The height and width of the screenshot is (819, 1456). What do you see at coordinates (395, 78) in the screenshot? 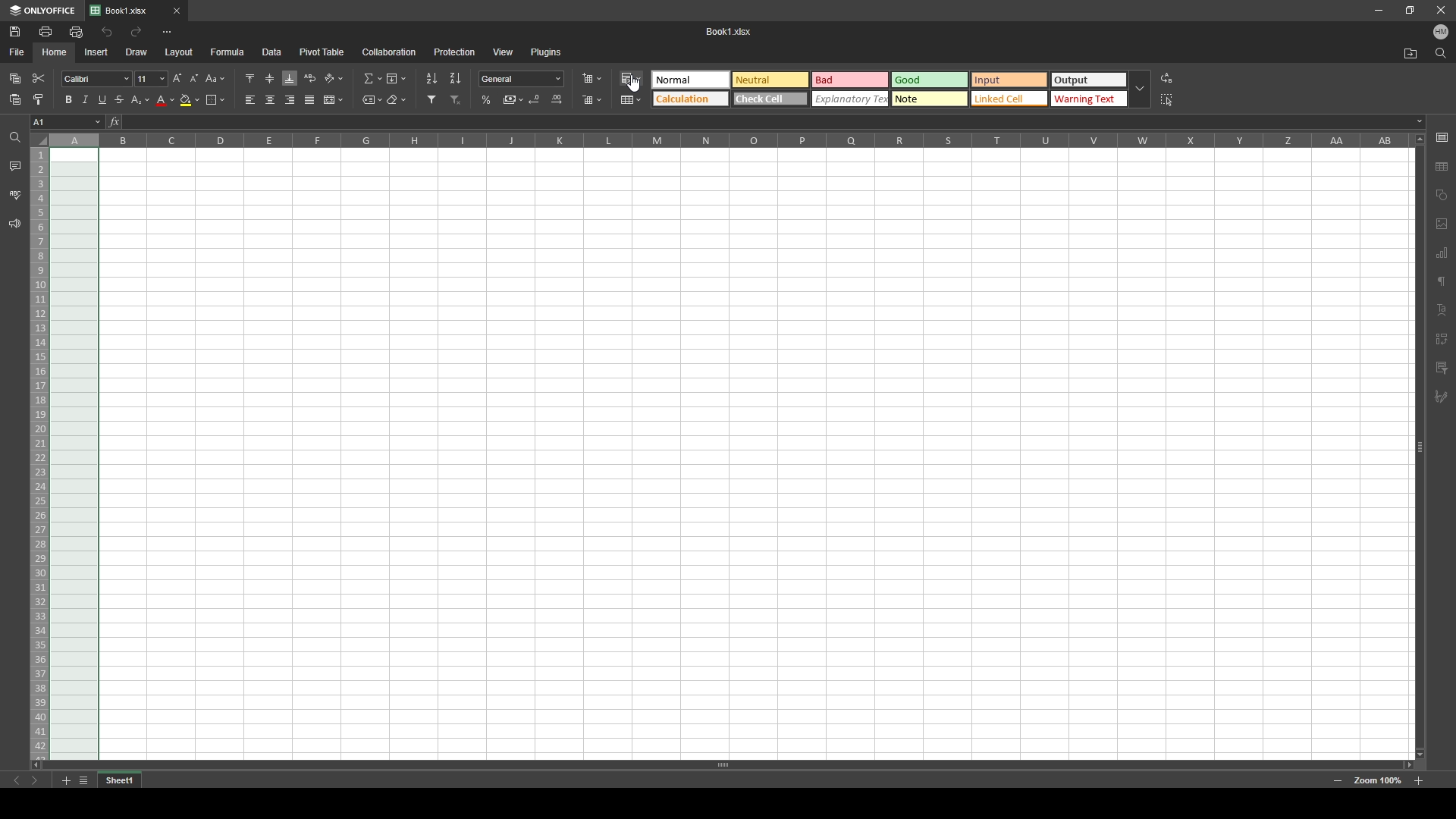
I see `fill` at bounding box center [395, 78].